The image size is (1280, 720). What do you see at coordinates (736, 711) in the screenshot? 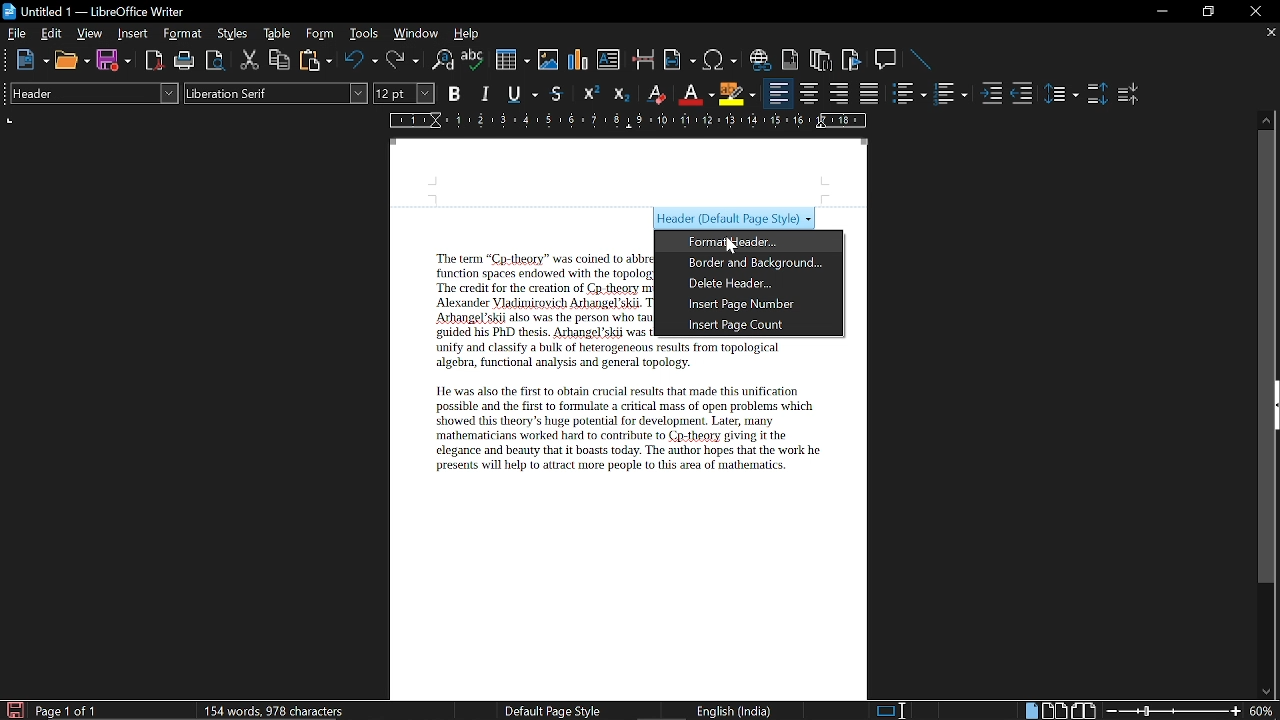
I see ` language` at bounding box center [736, 711].